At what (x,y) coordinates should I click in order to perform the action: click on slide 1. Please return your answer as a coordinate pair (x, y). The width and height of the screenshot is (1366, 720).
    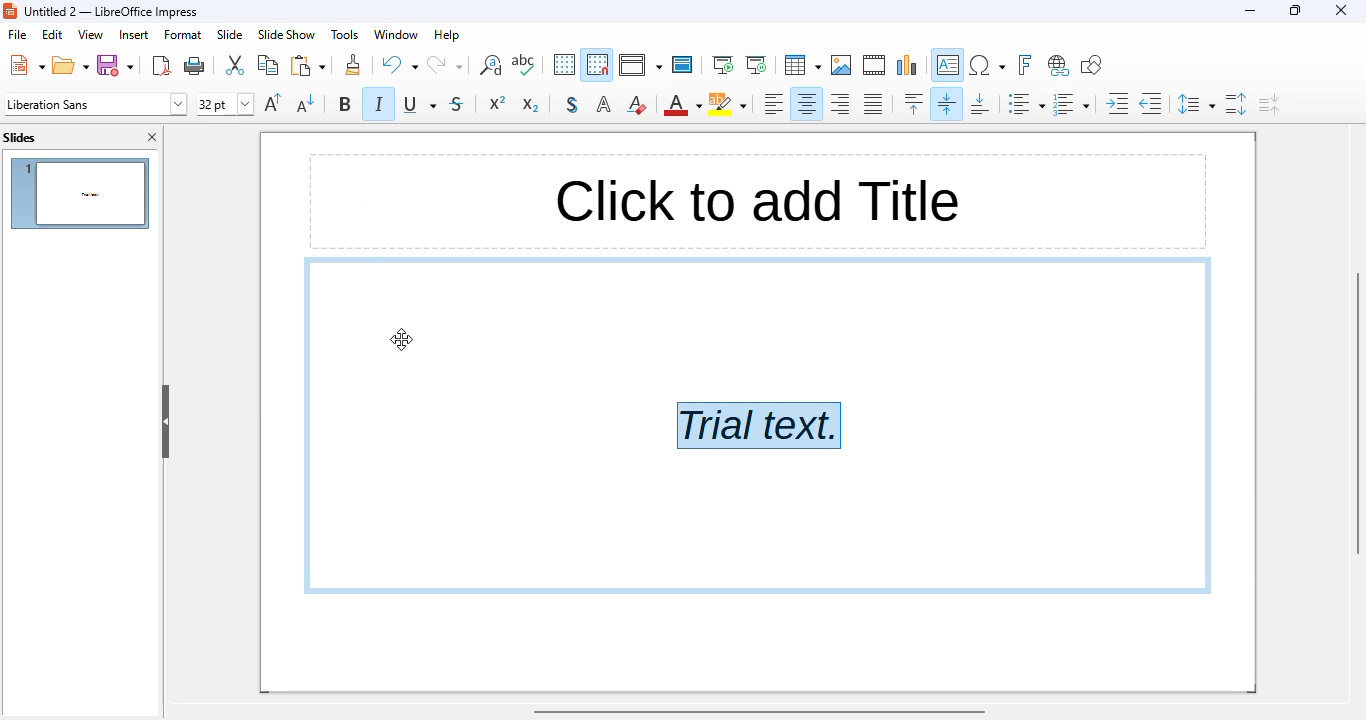
    Looking at the image, I should click on (79, 193).